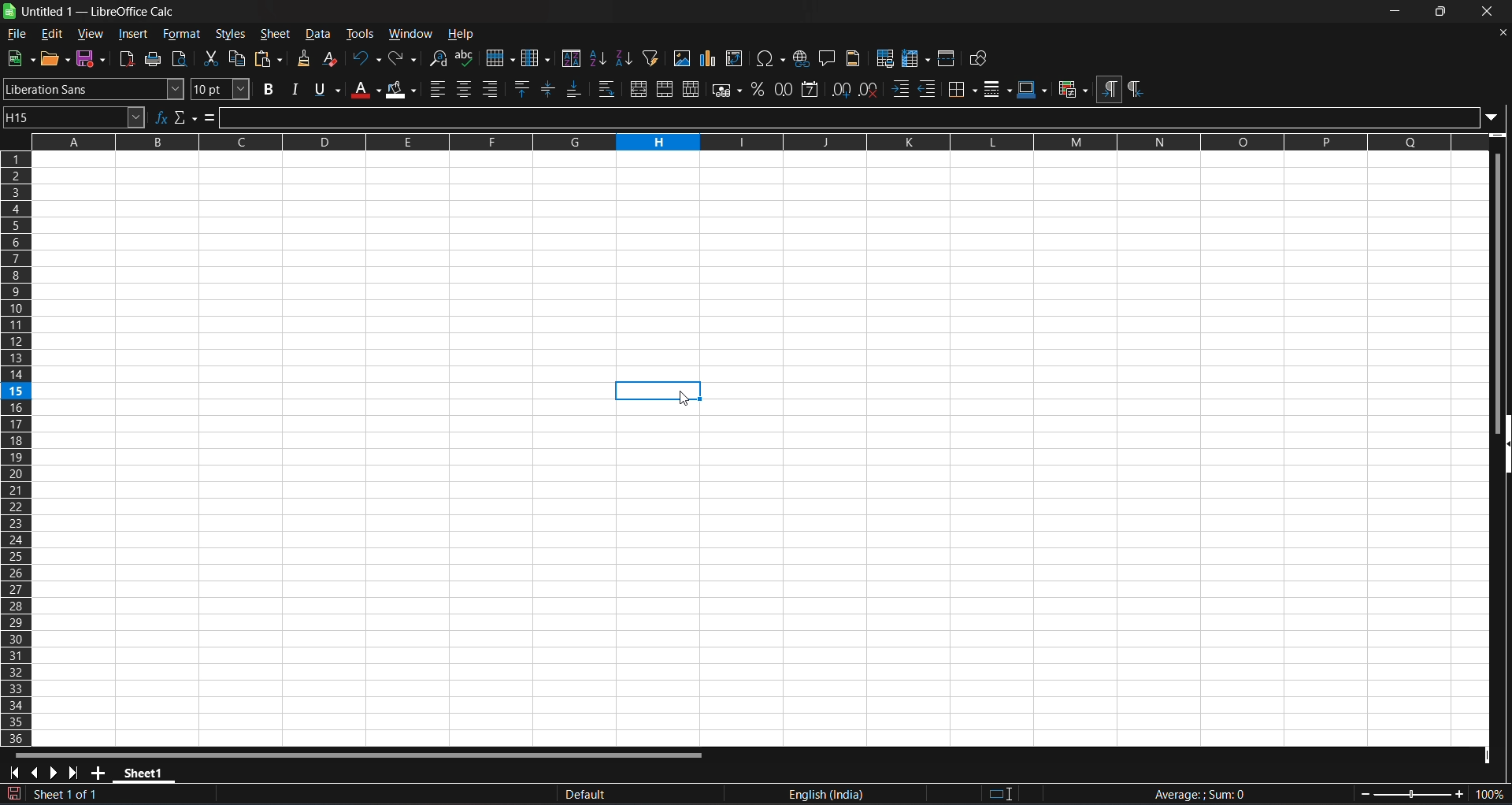  What do you see at coordinates (404, 60) in the screenshot?
I see `redo` at bounding box center [404, 60].